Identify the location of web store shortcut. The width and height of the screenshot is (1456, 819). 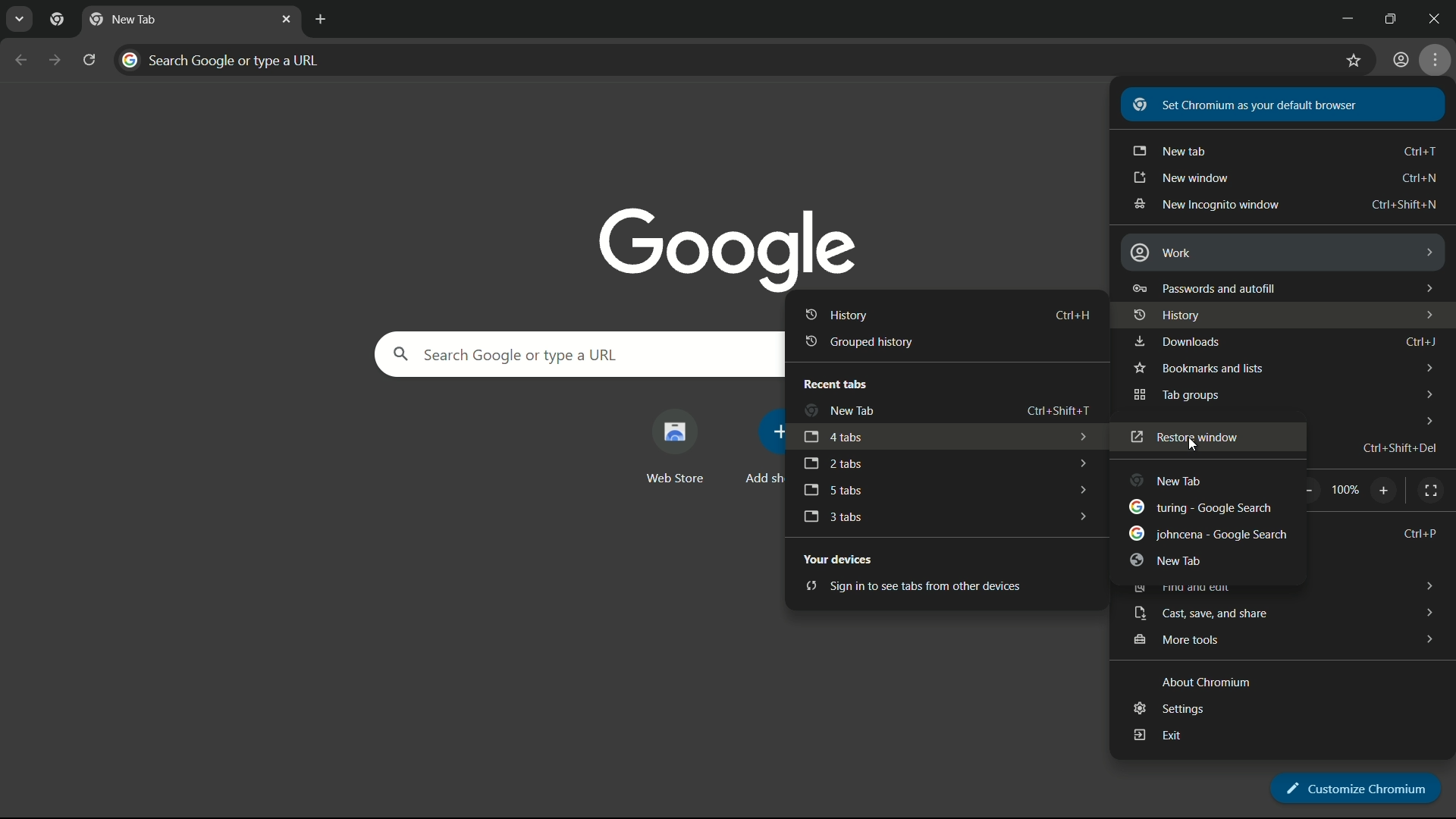
(673, 448).